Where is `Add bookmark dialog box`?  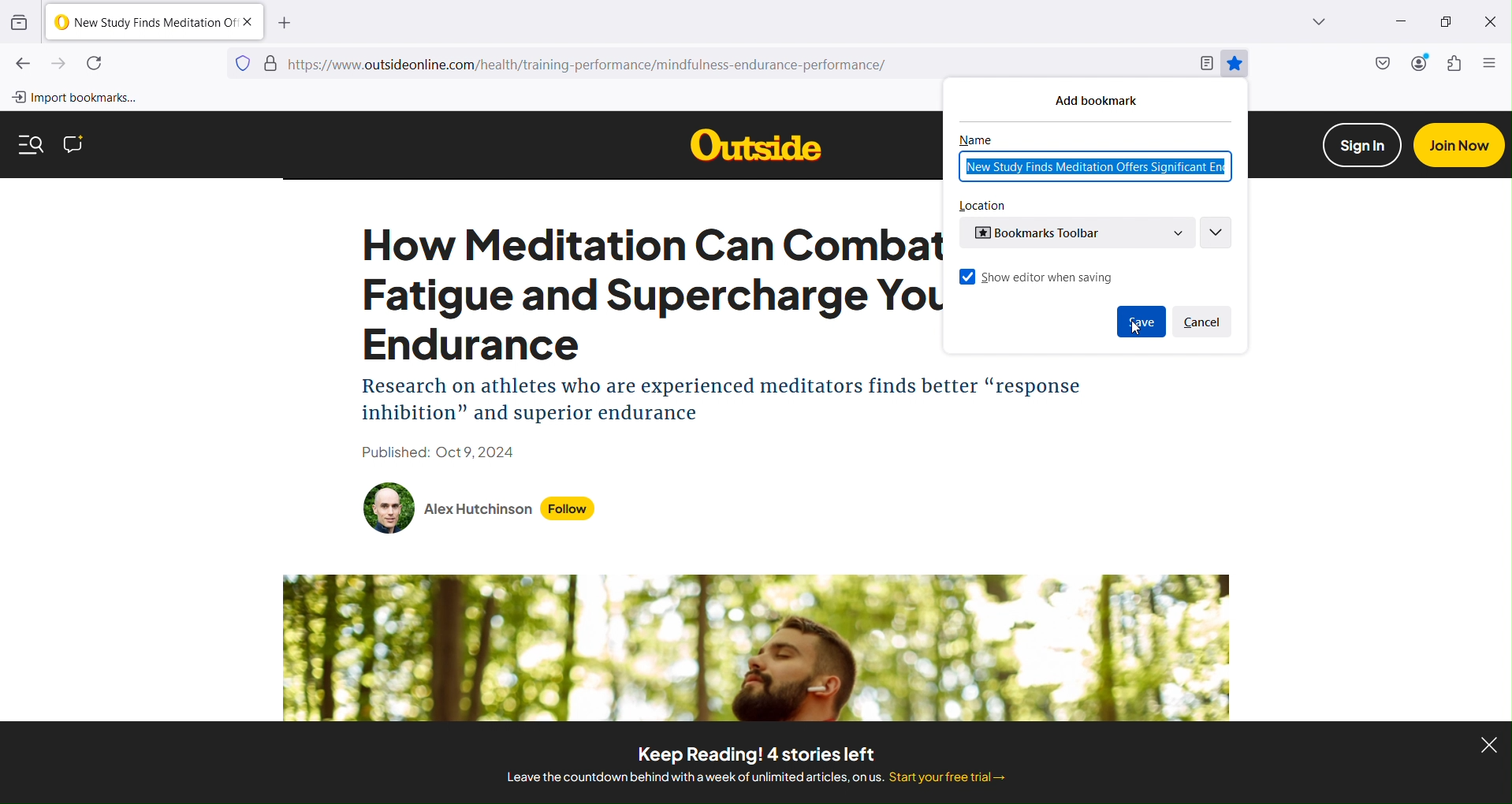 Add bookmark dialog box is located at coordinates (1110, 99).